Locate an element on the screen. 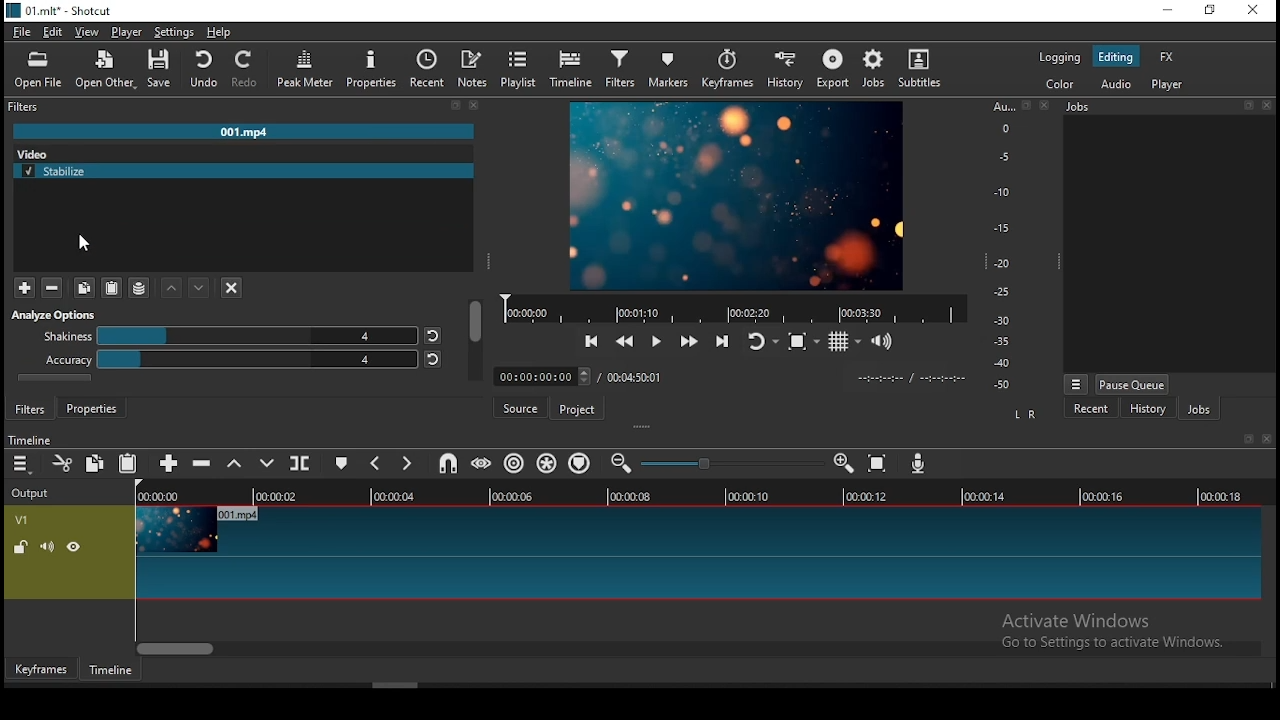  Open Other is located at coordinates (103, 72).